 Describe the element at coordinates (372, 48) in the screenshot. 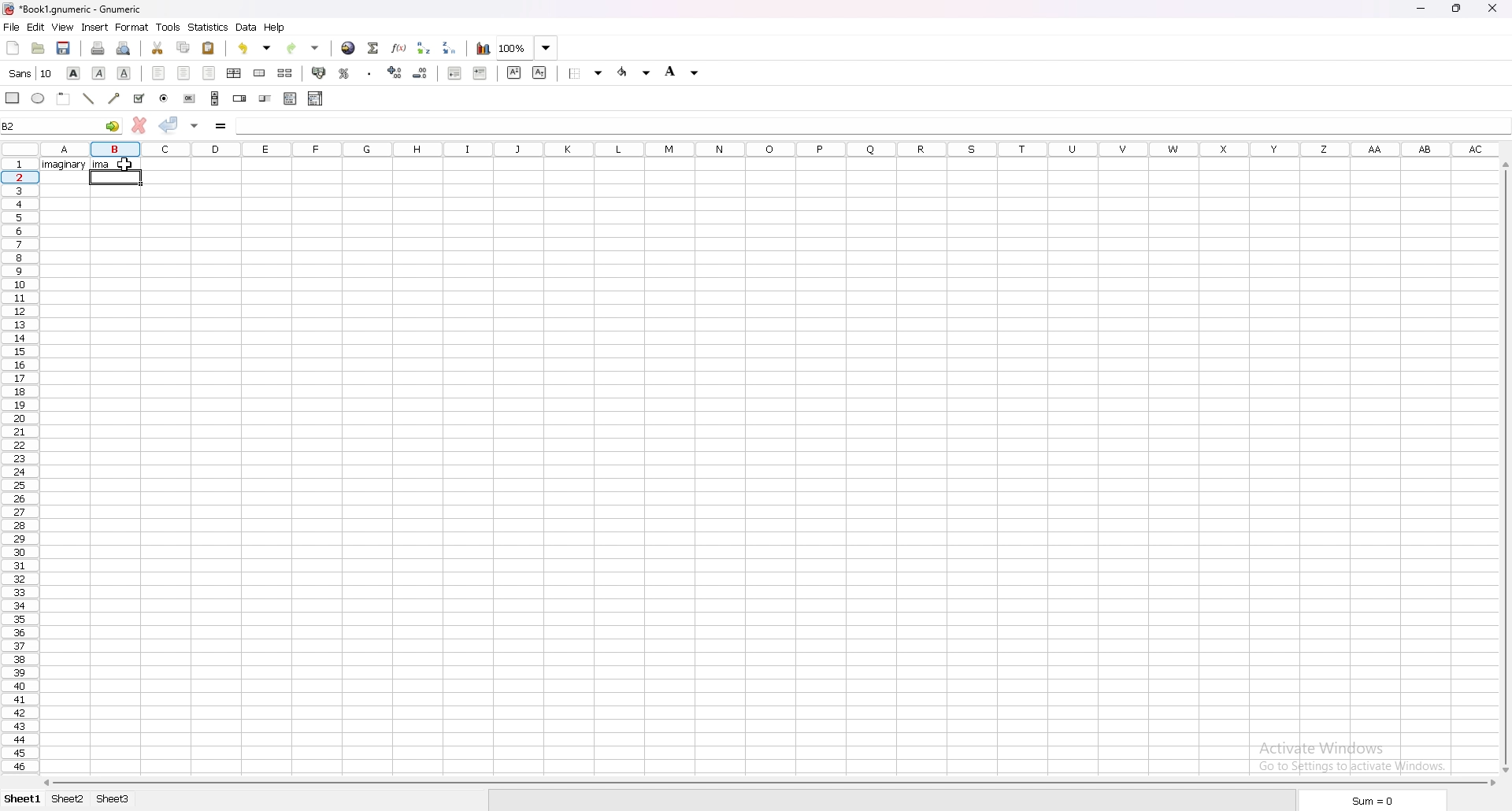

I see `summation` at that location.